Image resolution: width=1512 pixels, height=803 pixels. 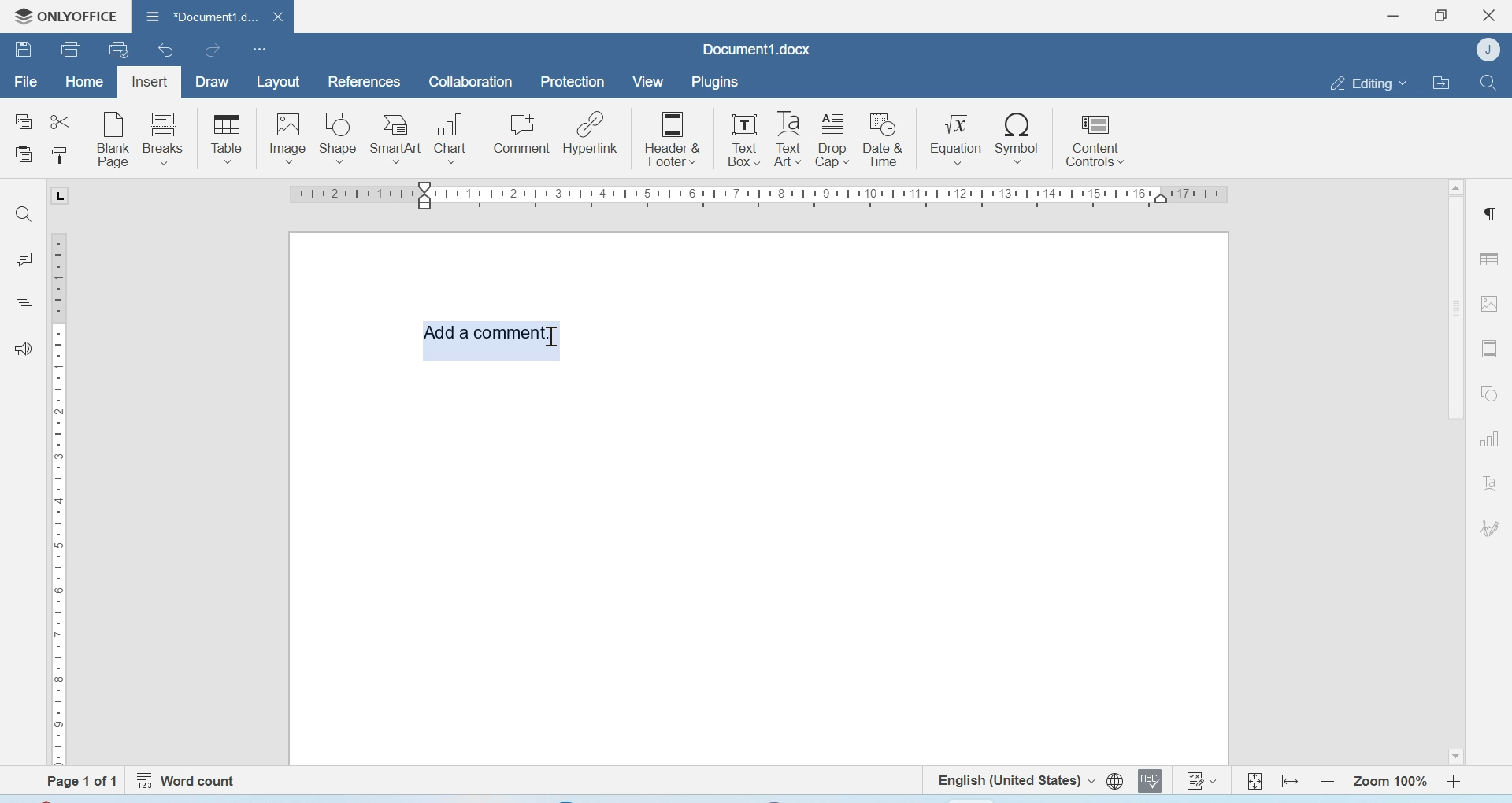 I want to click on customize quick access toolbar, so click(x=260, y=49).